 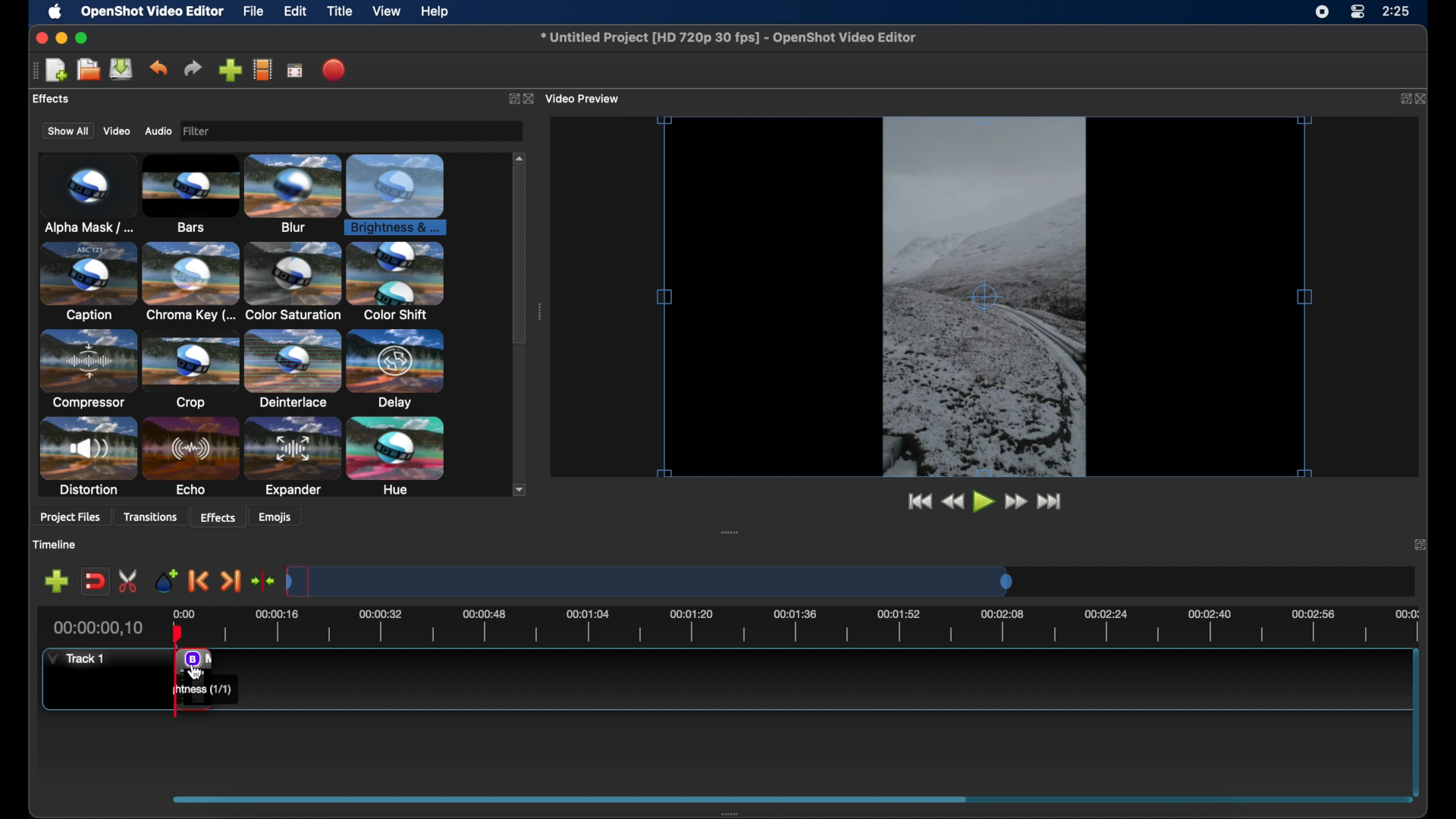 What do you see at coordinates (522, 490) in the screenshot?
I see `scroll down arrow` at bounding box center [522, 490].